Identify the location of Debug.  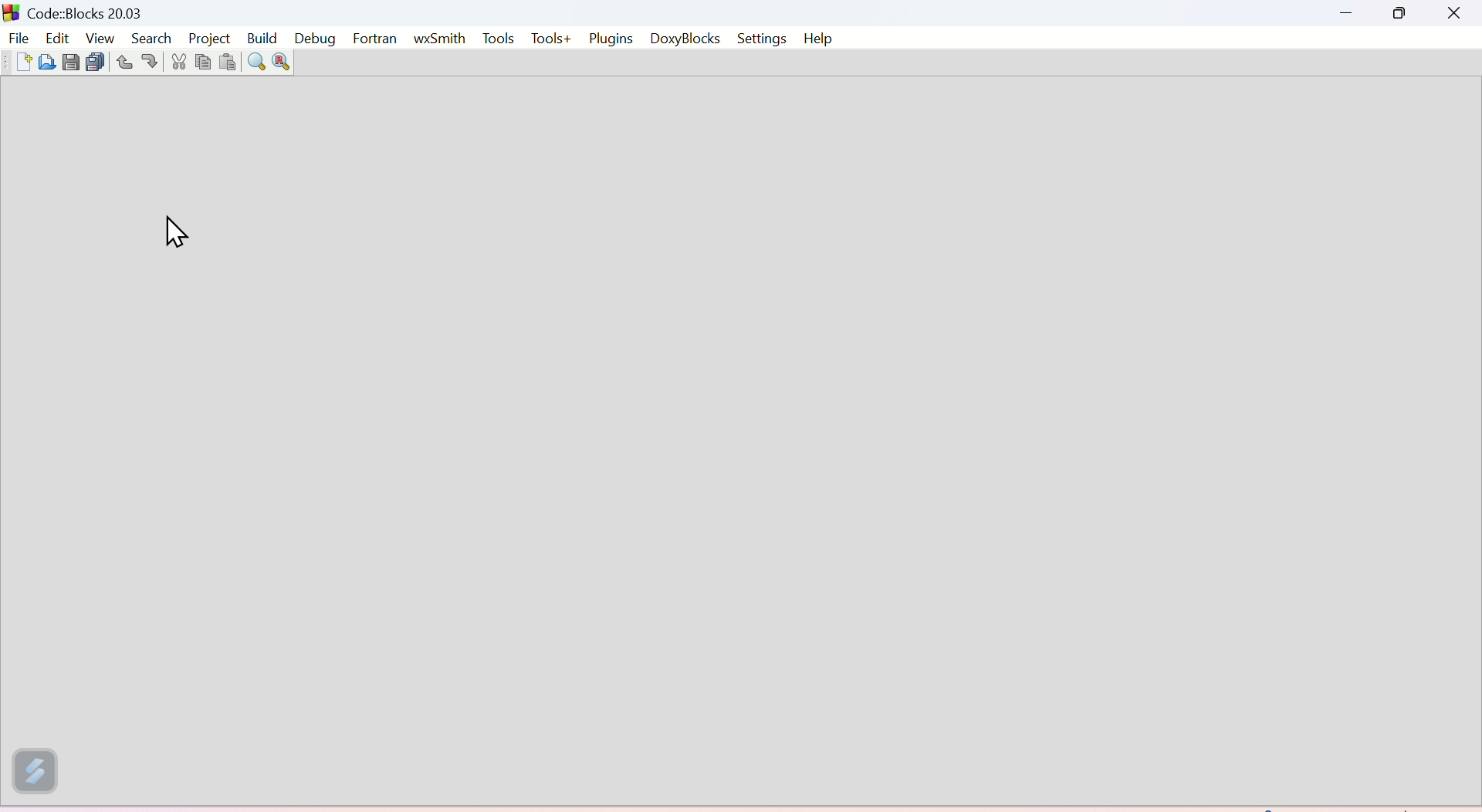
(317, 37).